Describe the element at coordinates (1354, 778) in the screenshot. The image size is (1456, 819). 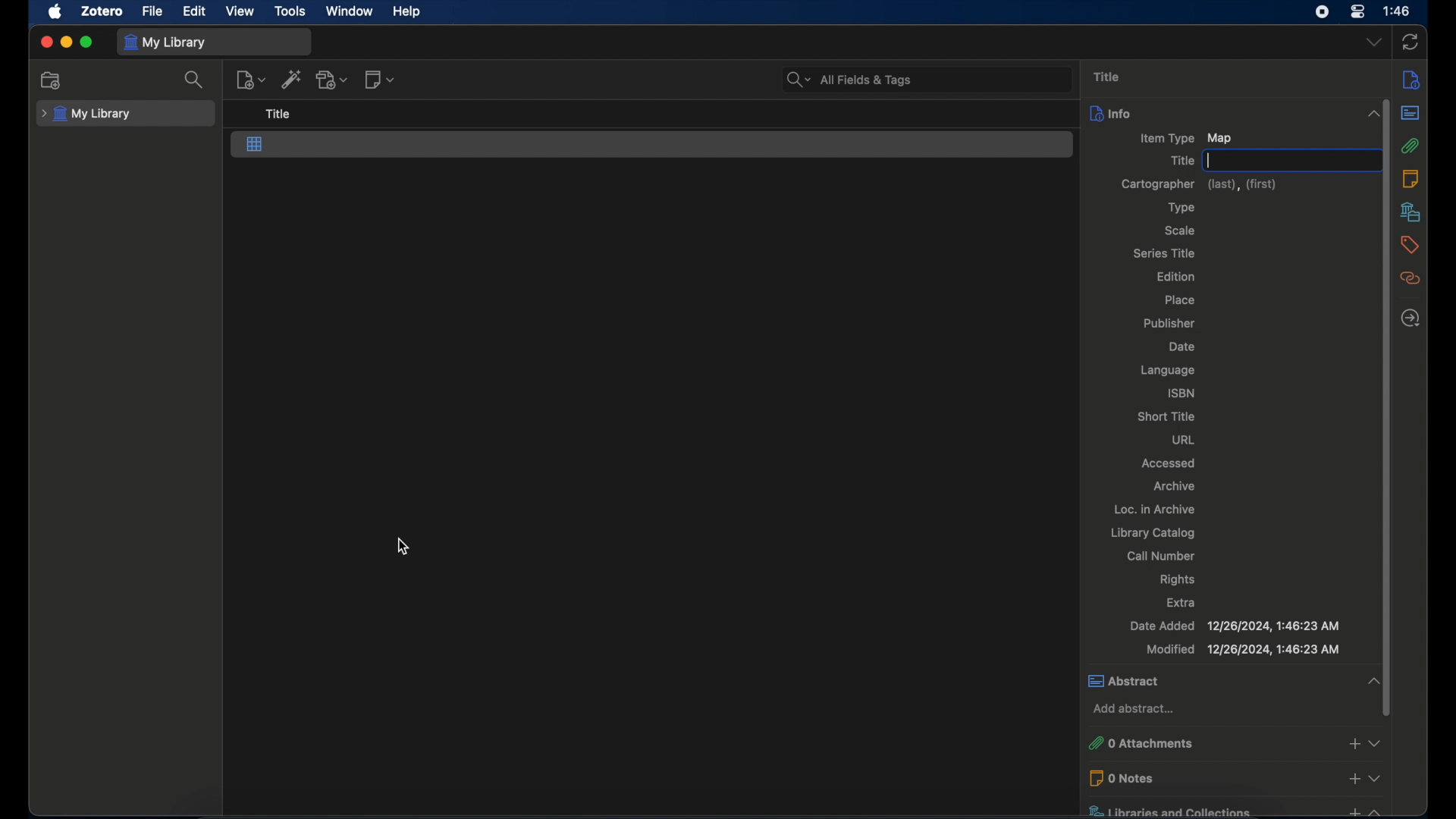
I see `add` at that location.